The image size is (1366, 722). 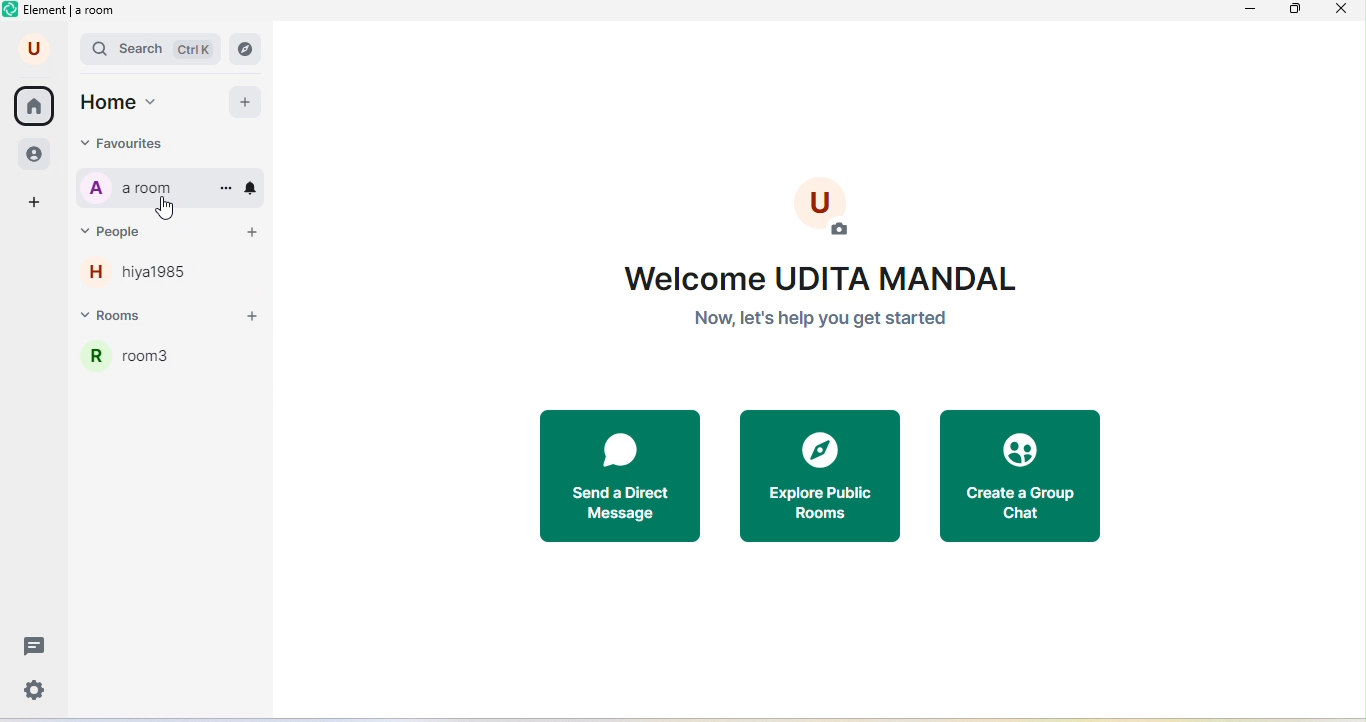 I want to click on welcome text, so click(x=817, y=293).